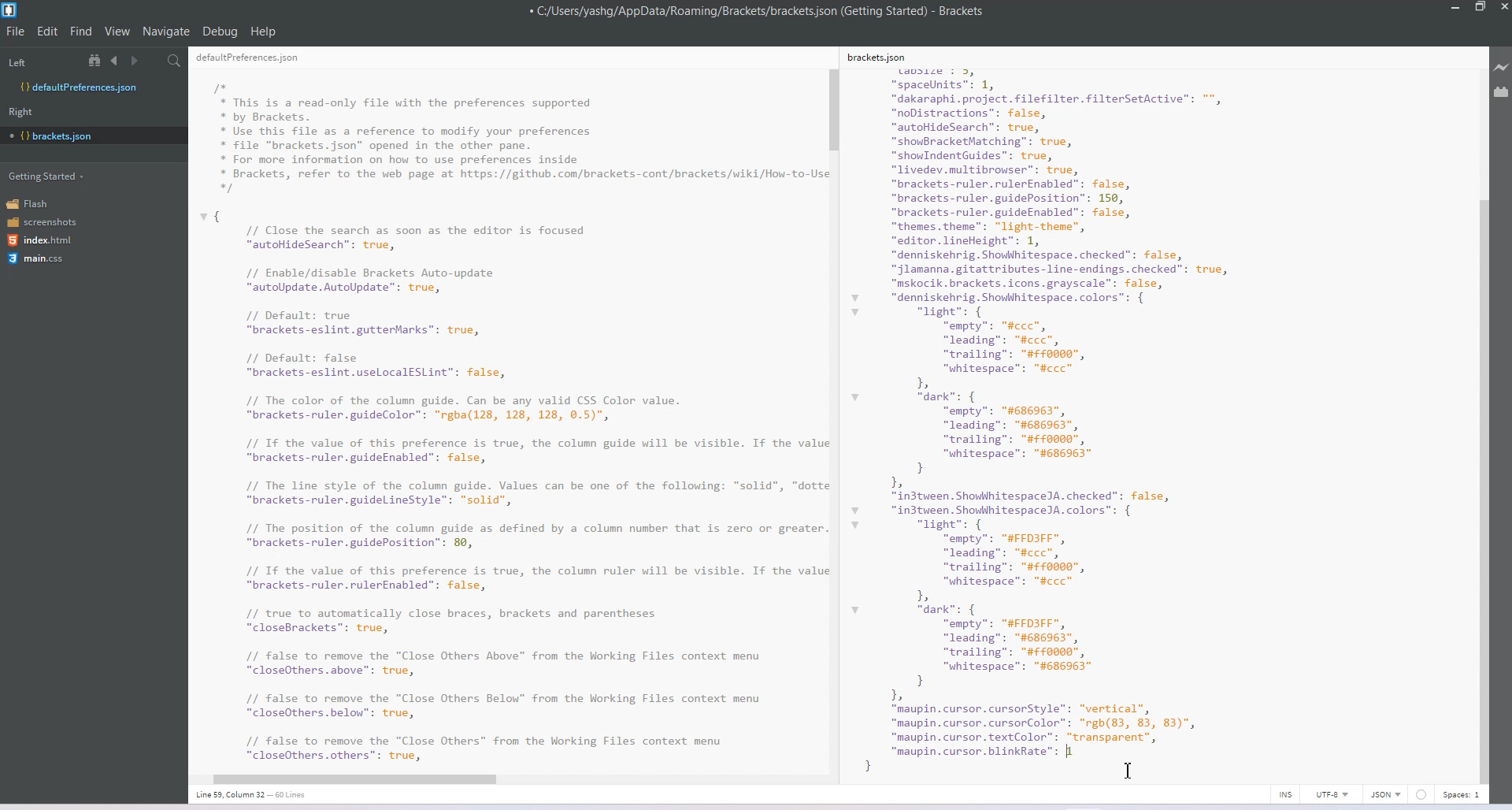 The height and width of the screenshot is (810, 1512). I want to click on Maximize, so click(1480, 8).